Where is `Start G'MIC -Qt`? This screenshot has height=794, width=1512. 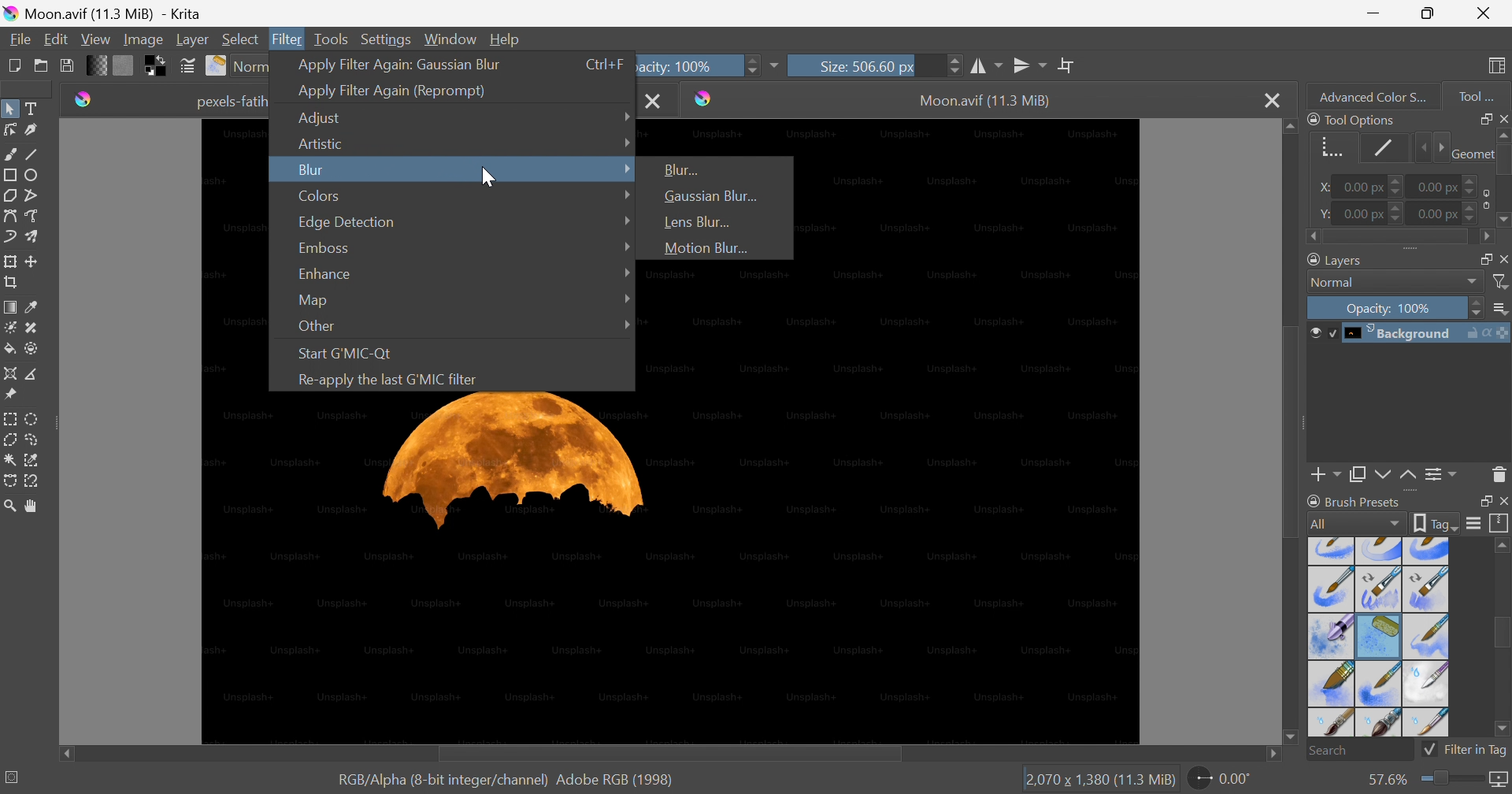
Start G'MIC -Qt is located at coordinates (344, 354).